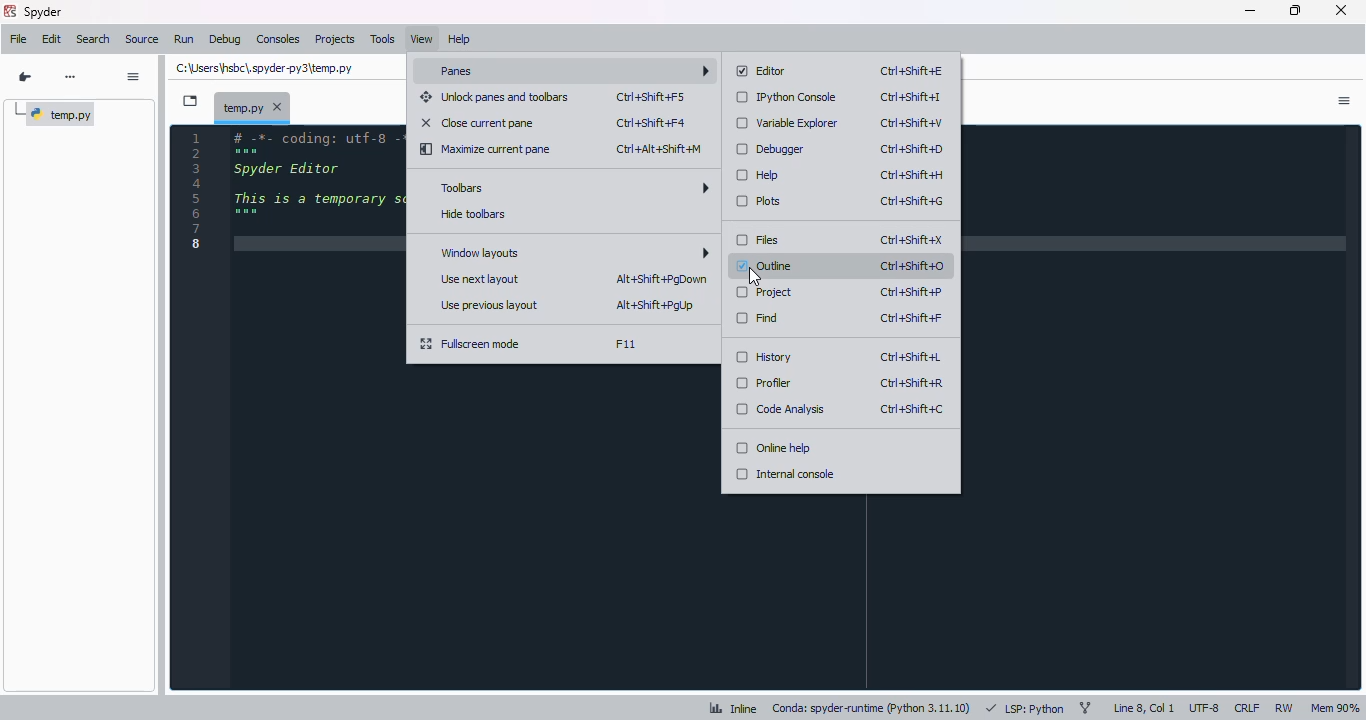  What do you see at coordinates (911, 384) in the screenshot?
I see `shortcut for profiler` at bounding box center [911, 384].